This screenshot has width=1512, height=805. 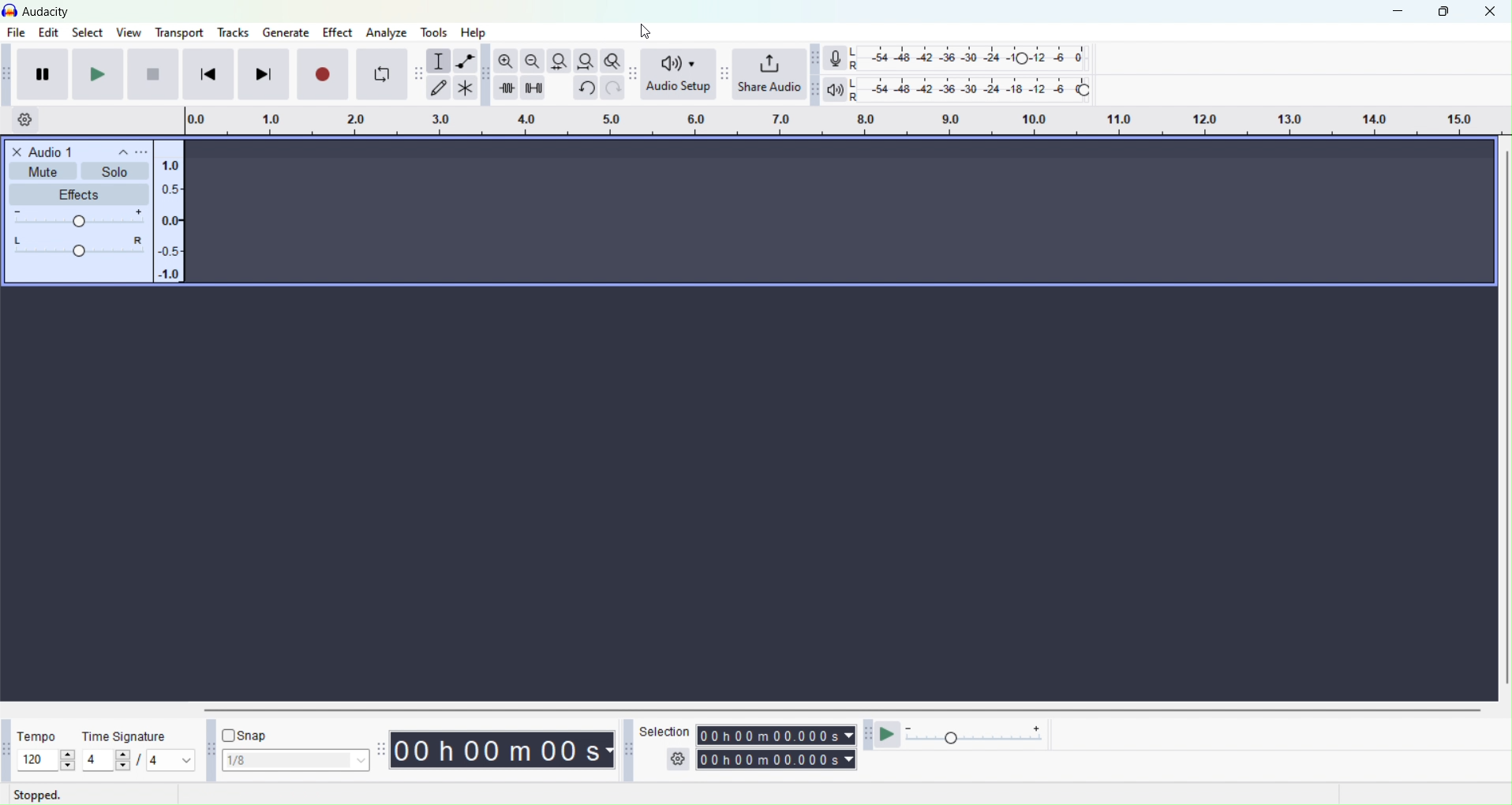 I want to click on Skip to start, so click(x=153, y=74).